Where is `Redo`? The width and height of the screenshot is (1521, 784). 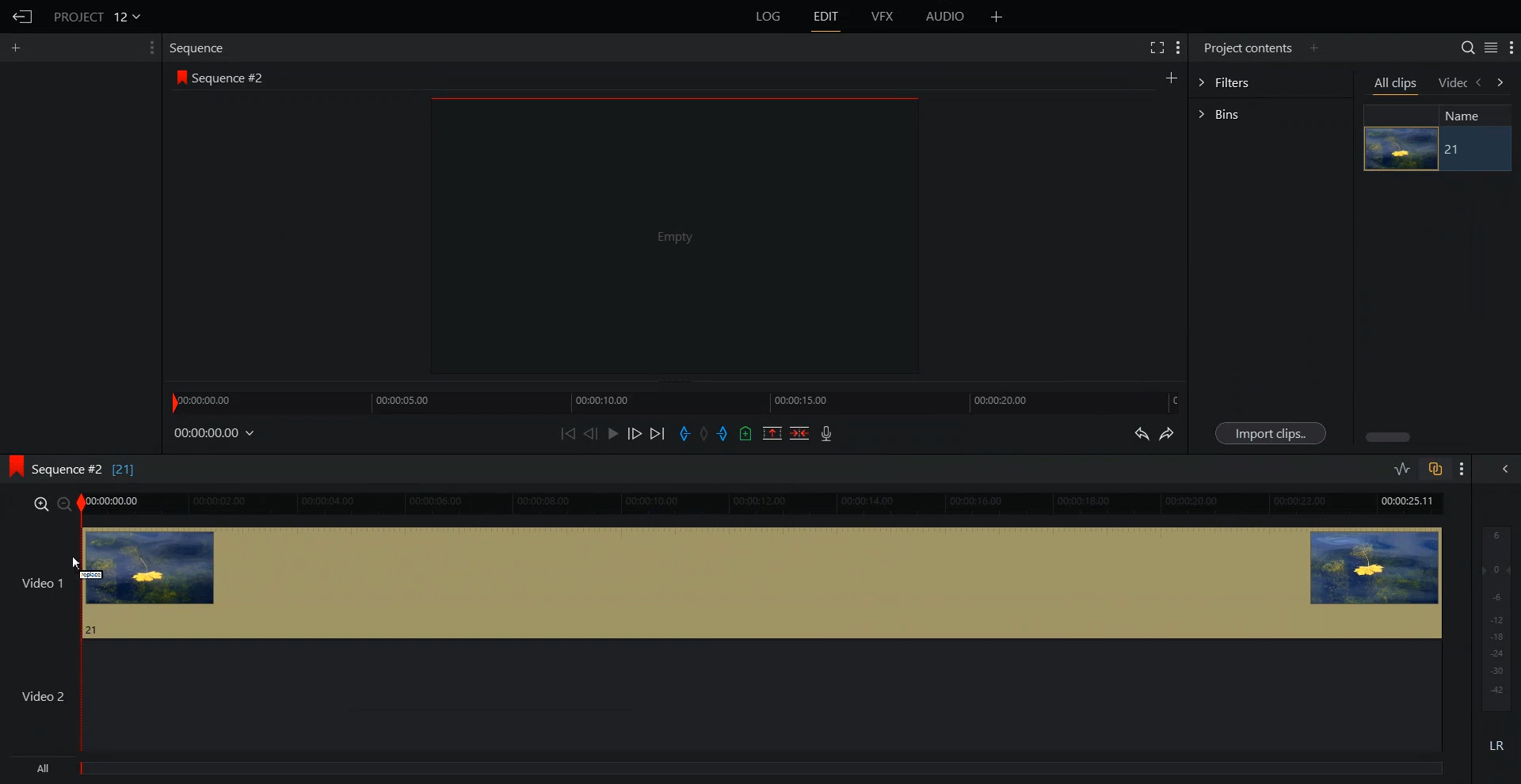 Redo is located at coordinates (1167, 433).